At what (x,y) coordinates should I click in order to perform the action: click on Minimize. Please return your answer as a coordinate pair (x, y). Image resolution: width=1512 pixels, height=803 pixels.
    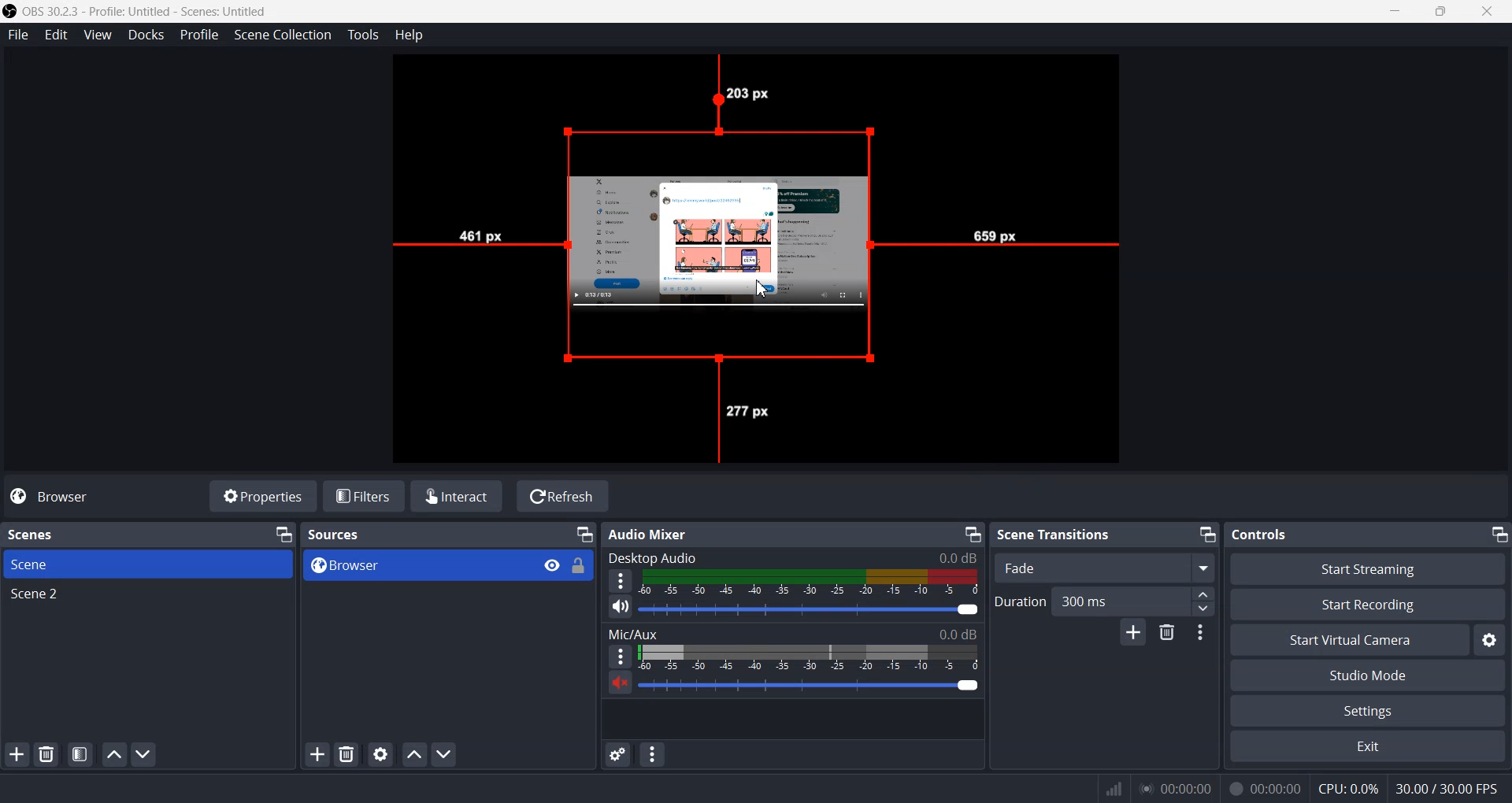
    Looking at the image, I should click on (584, 535).